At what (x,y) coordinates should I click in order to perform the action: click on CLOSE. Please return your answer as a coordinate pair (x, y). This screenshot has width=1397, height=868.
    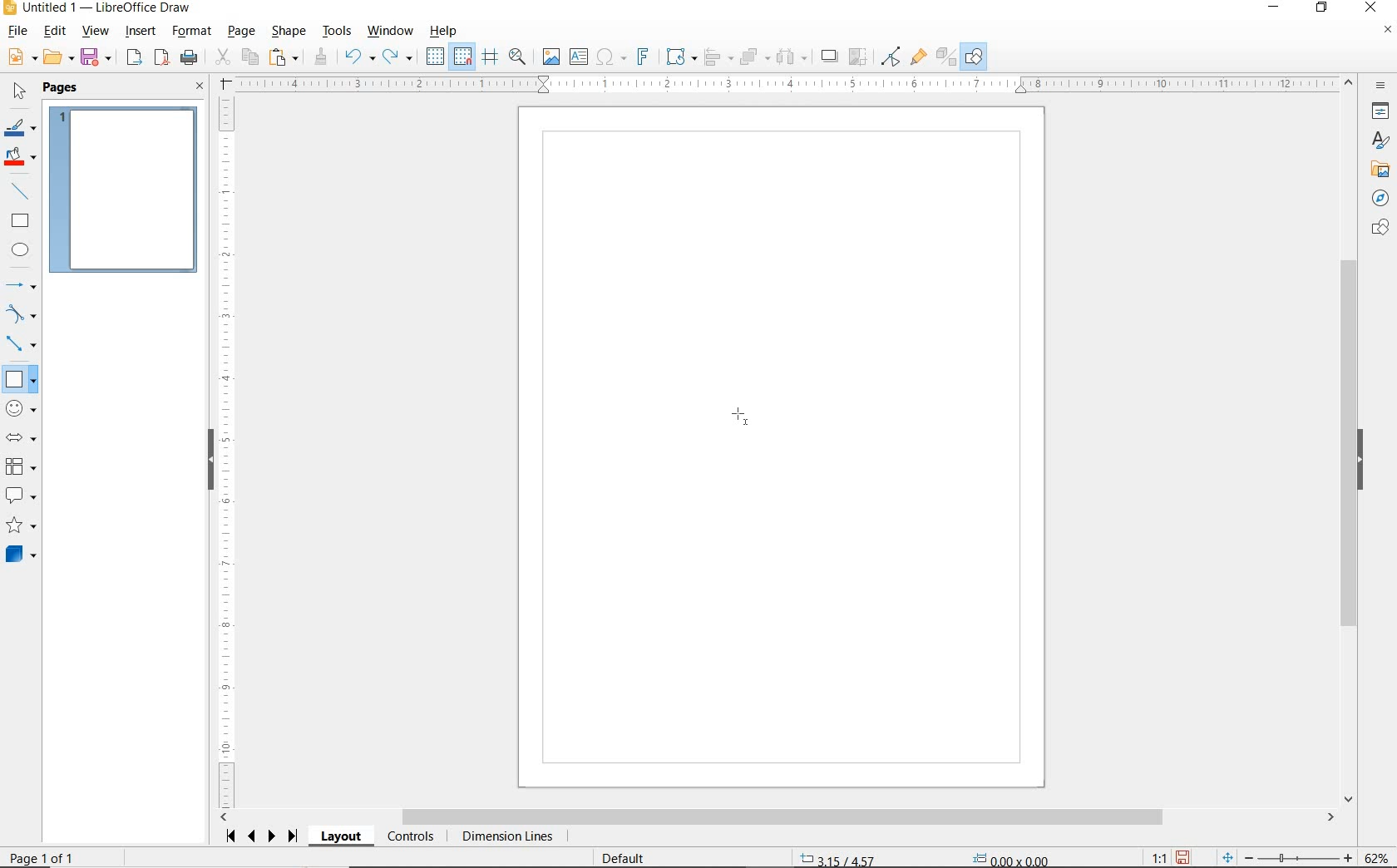
    Looking at the image, I should click on (200, 87).